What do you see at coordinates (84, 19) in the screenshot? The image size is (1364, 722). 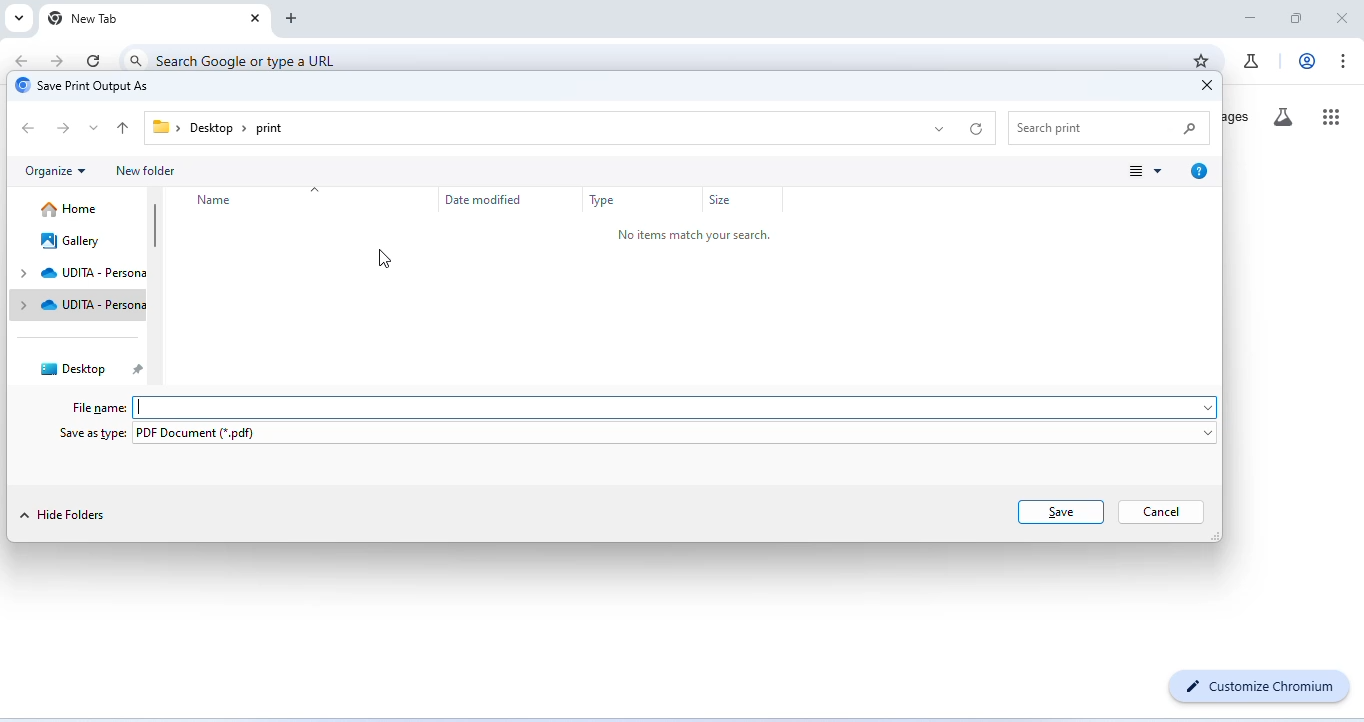 I see `new tab` at bounding box center [84, 19].